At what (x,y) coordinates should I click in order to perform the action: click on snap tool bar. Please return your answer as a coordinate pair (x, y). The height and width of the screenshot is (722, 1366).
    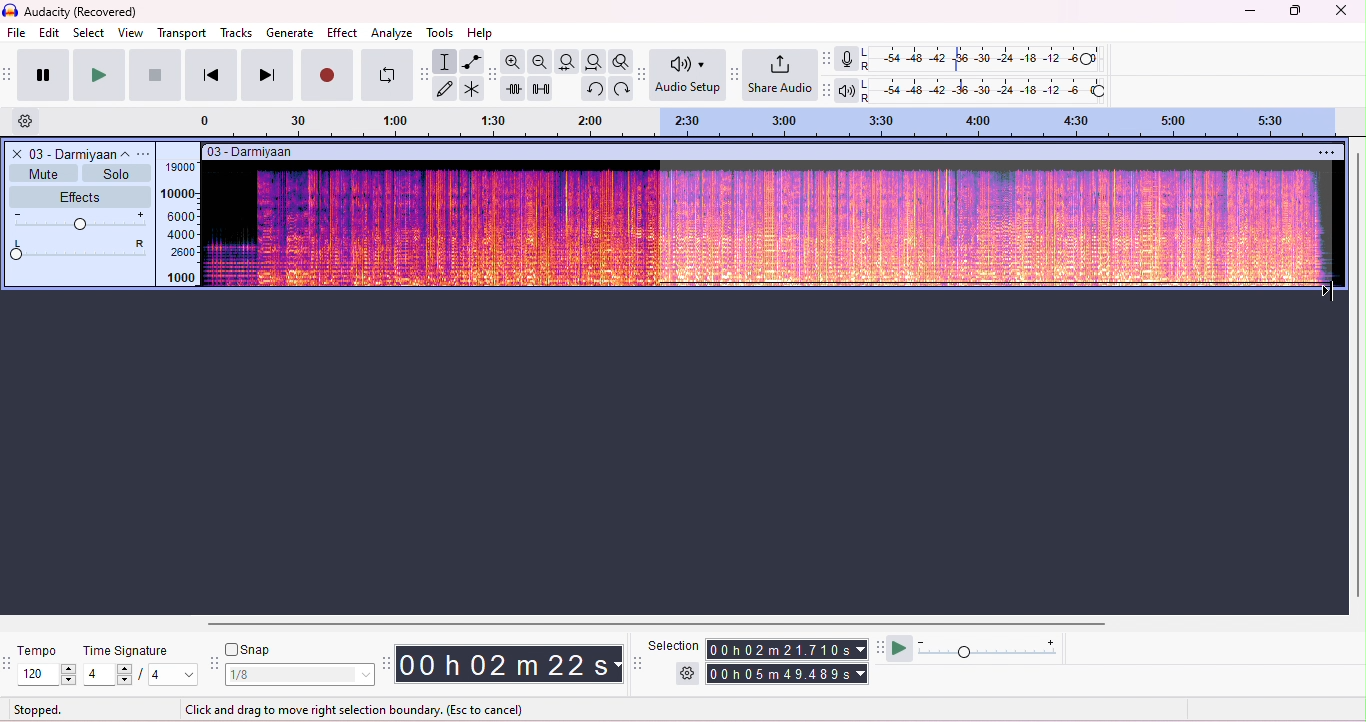
    Looking at the image, I should click on (217, 664).